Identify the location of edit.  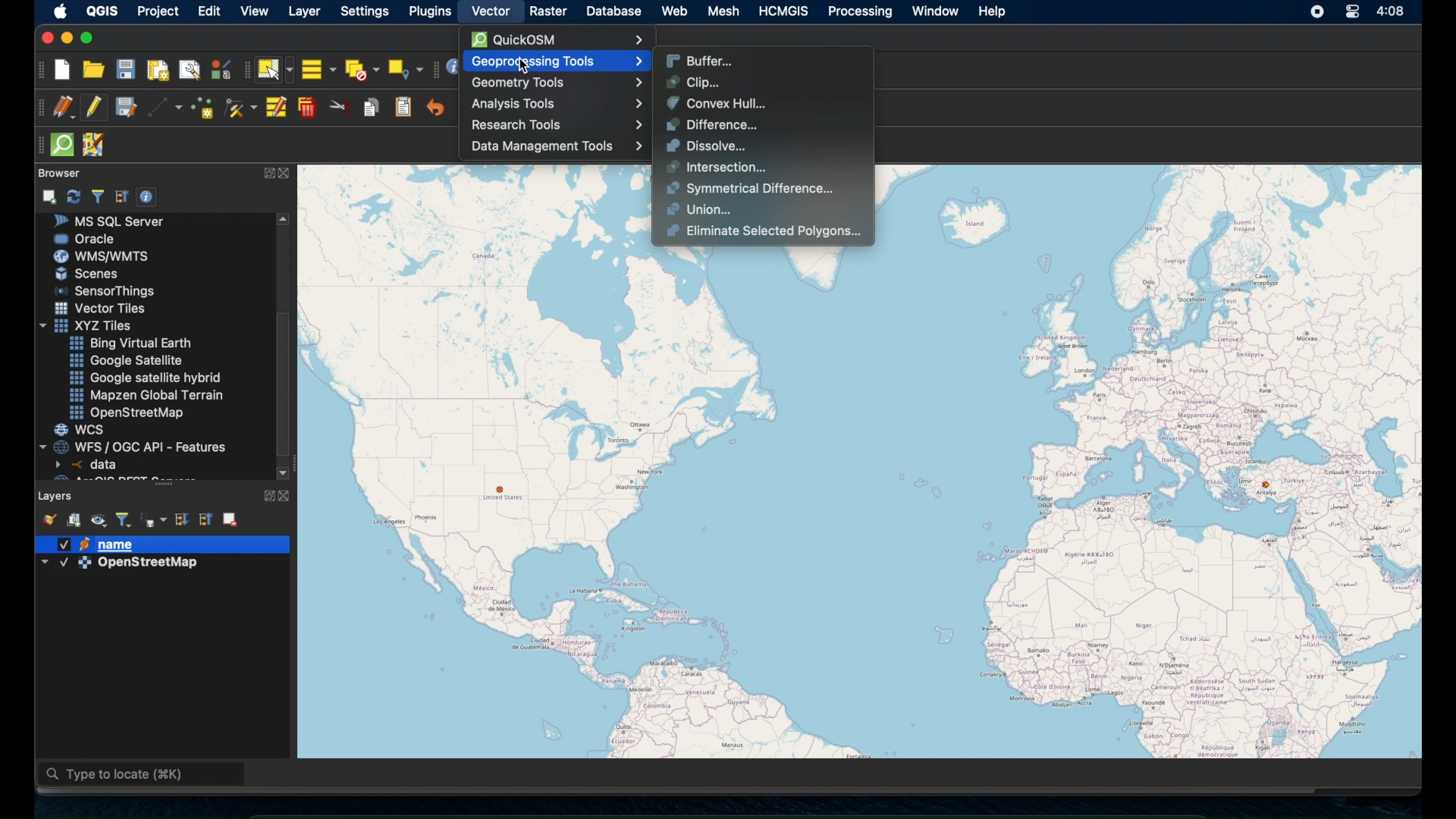
(212, 11).